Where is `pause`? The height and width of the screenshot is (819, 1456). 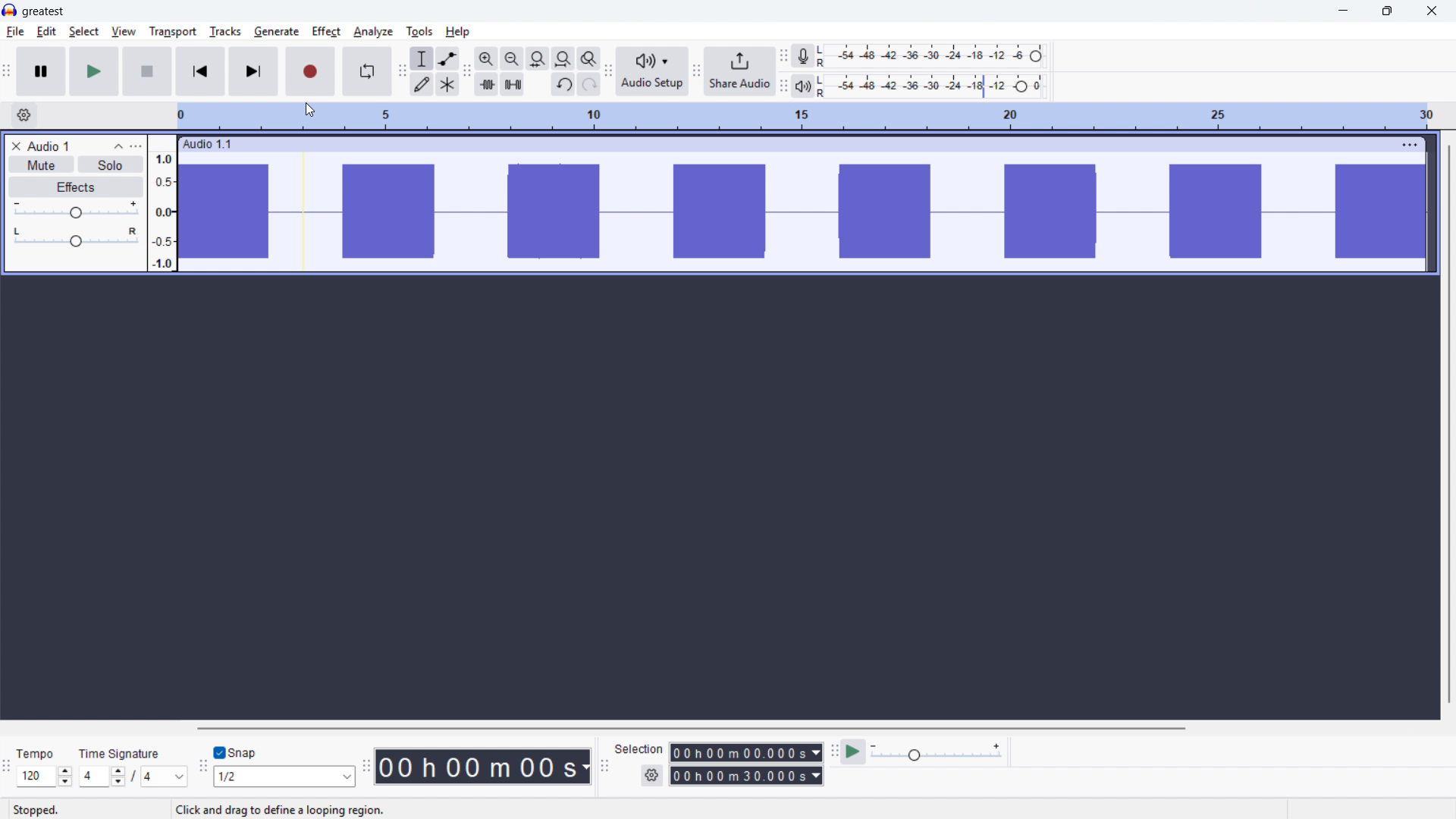 pause is located at coordinates (41, 71).